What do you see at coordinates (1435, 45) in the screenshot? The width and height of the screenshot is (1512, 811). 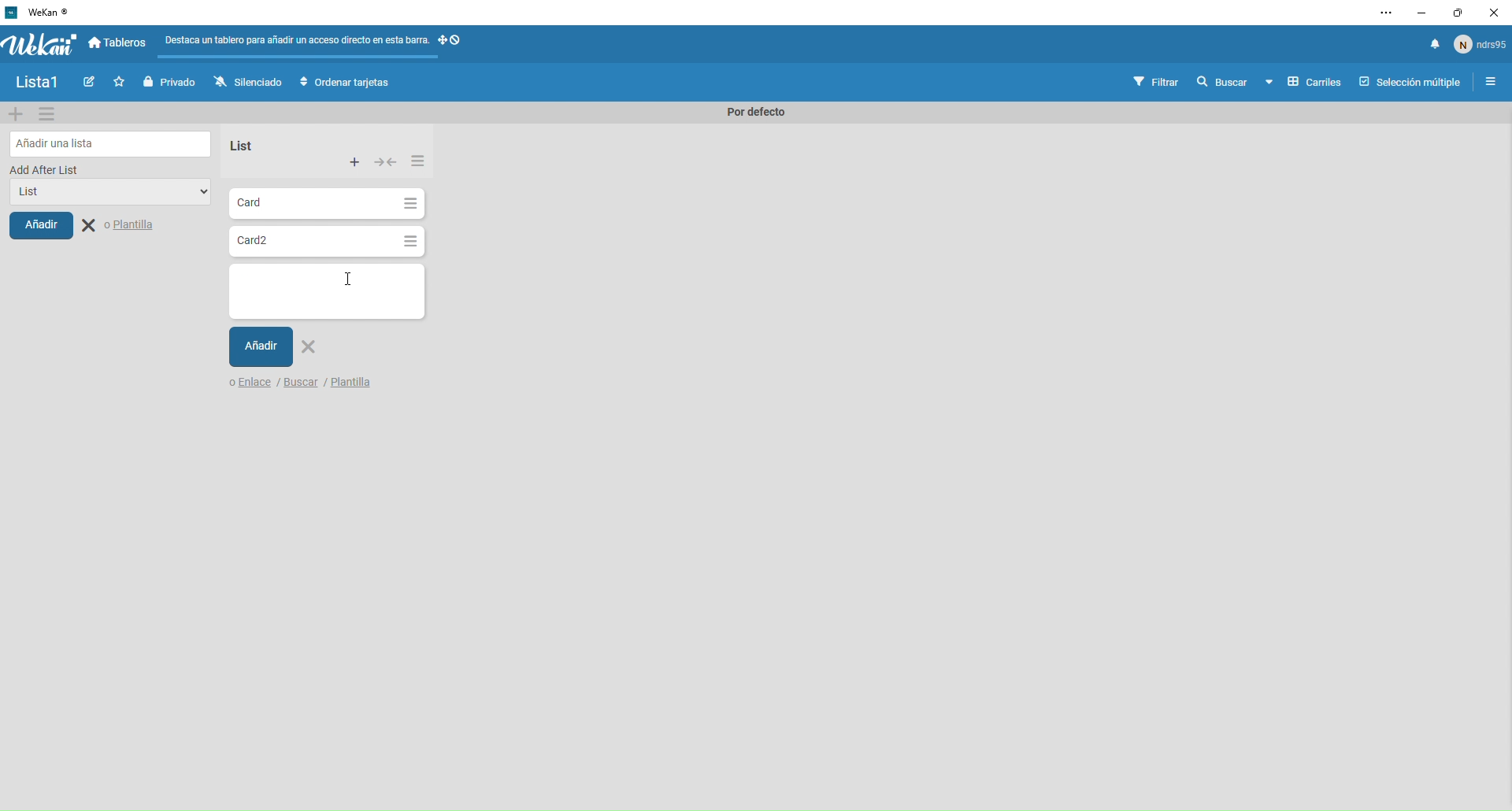 I see `Sound` at bounding box center [1435, 45].